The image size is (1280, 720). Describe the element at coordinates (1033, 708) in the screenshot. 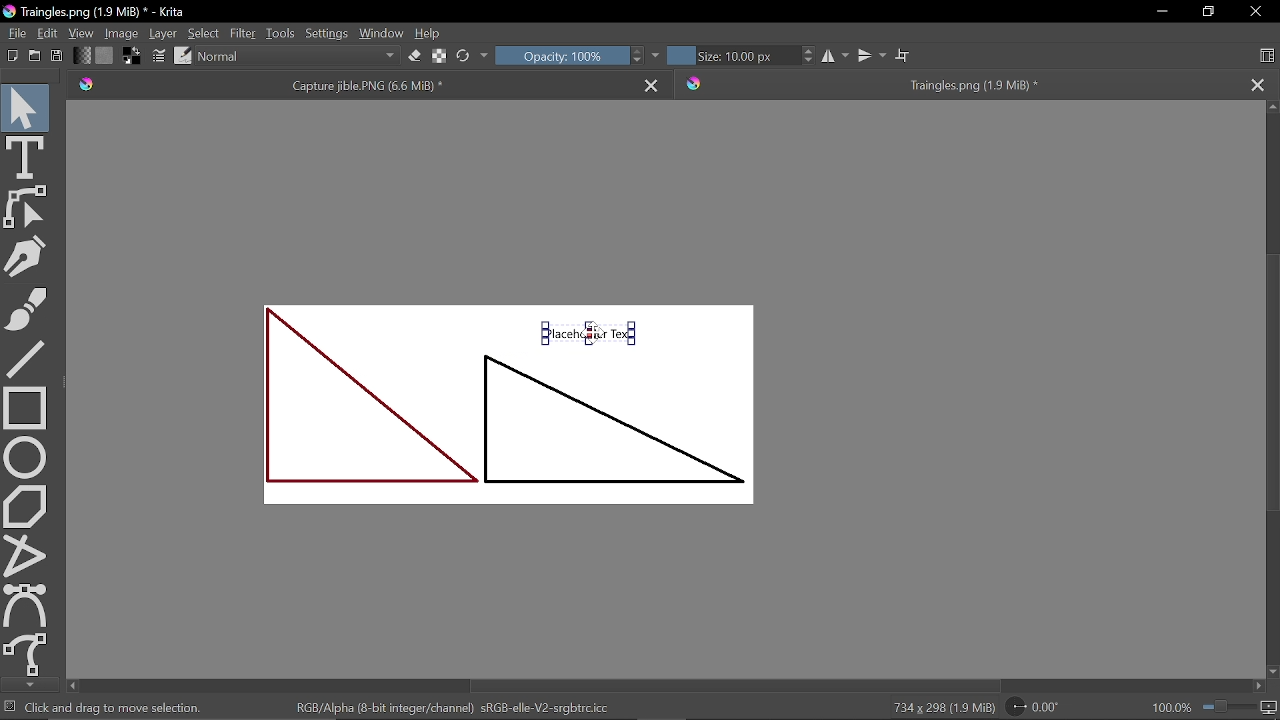

I see `Rotate` at that location.